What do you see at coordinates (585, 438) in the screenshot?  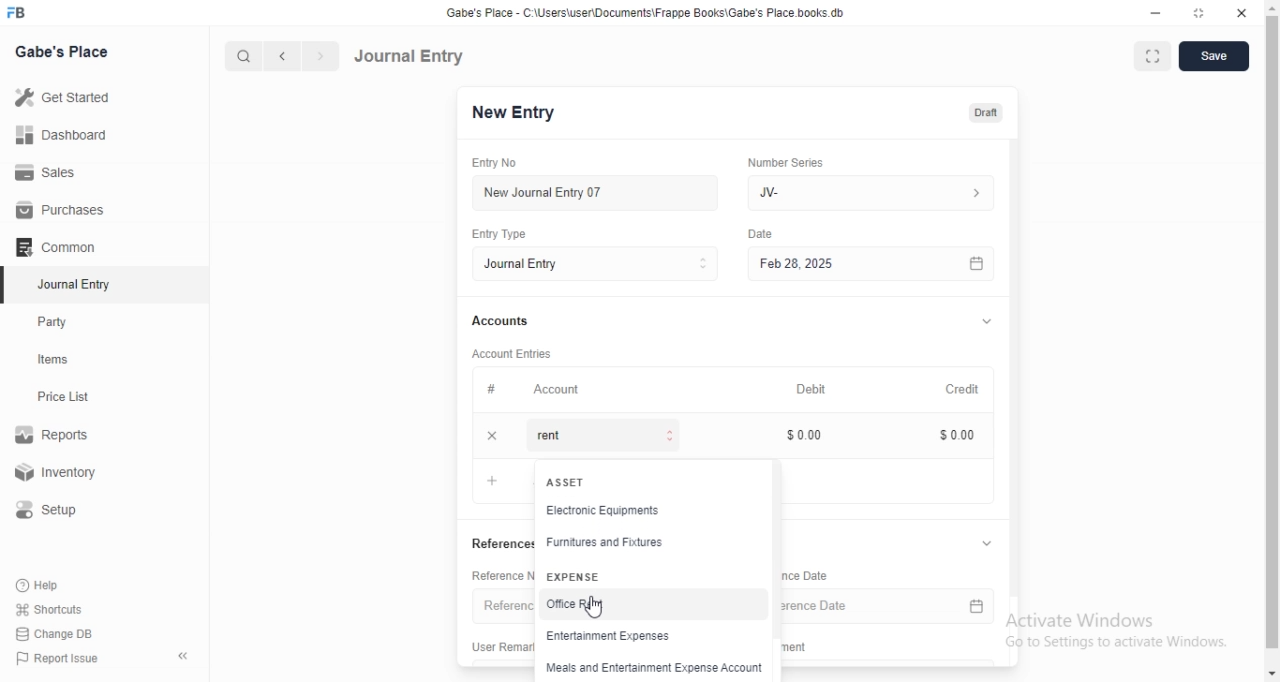 I see `x rent` at bounding box center [585, 438].